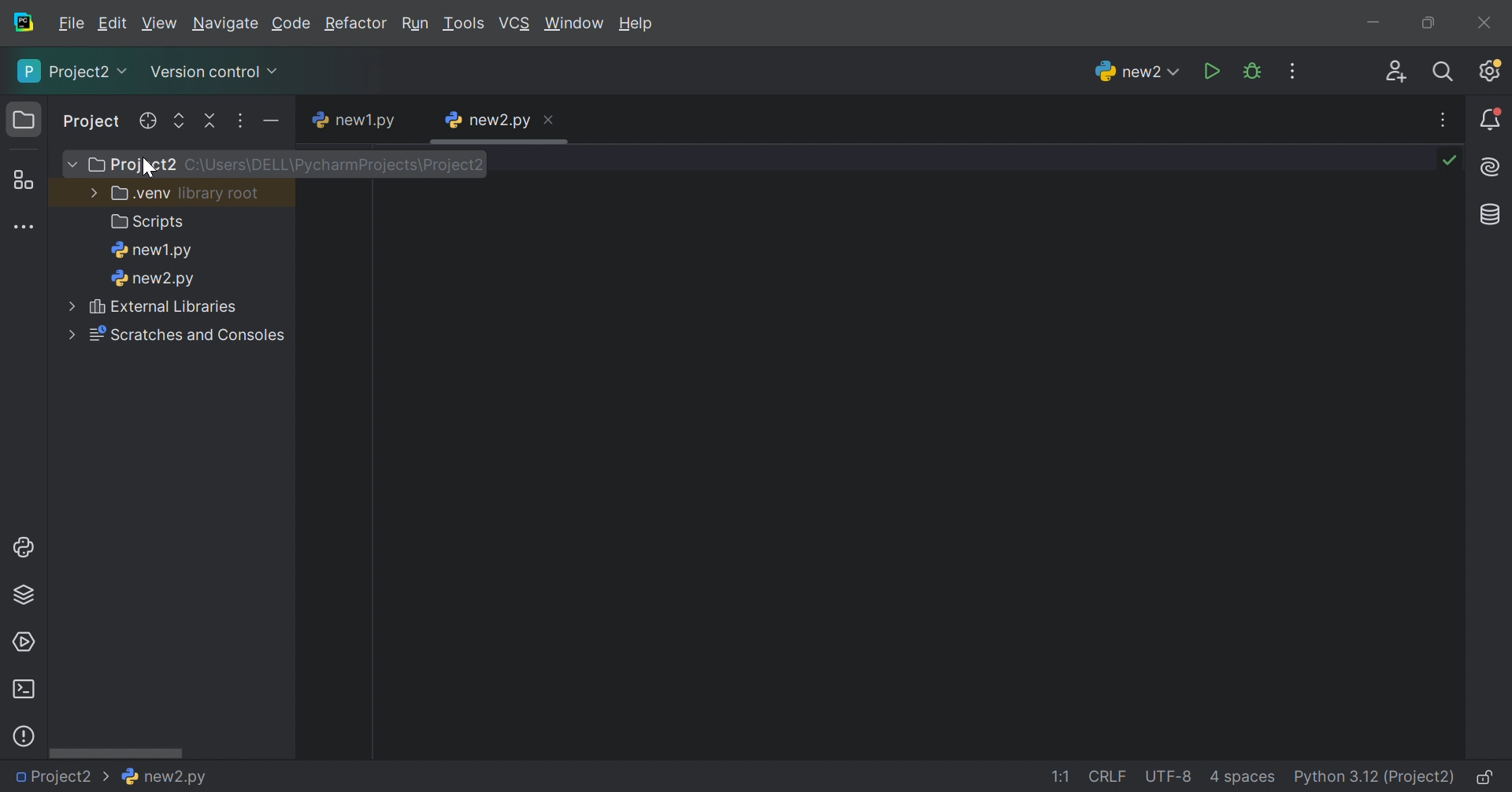  I want to click on Database, so click(1492, 216).